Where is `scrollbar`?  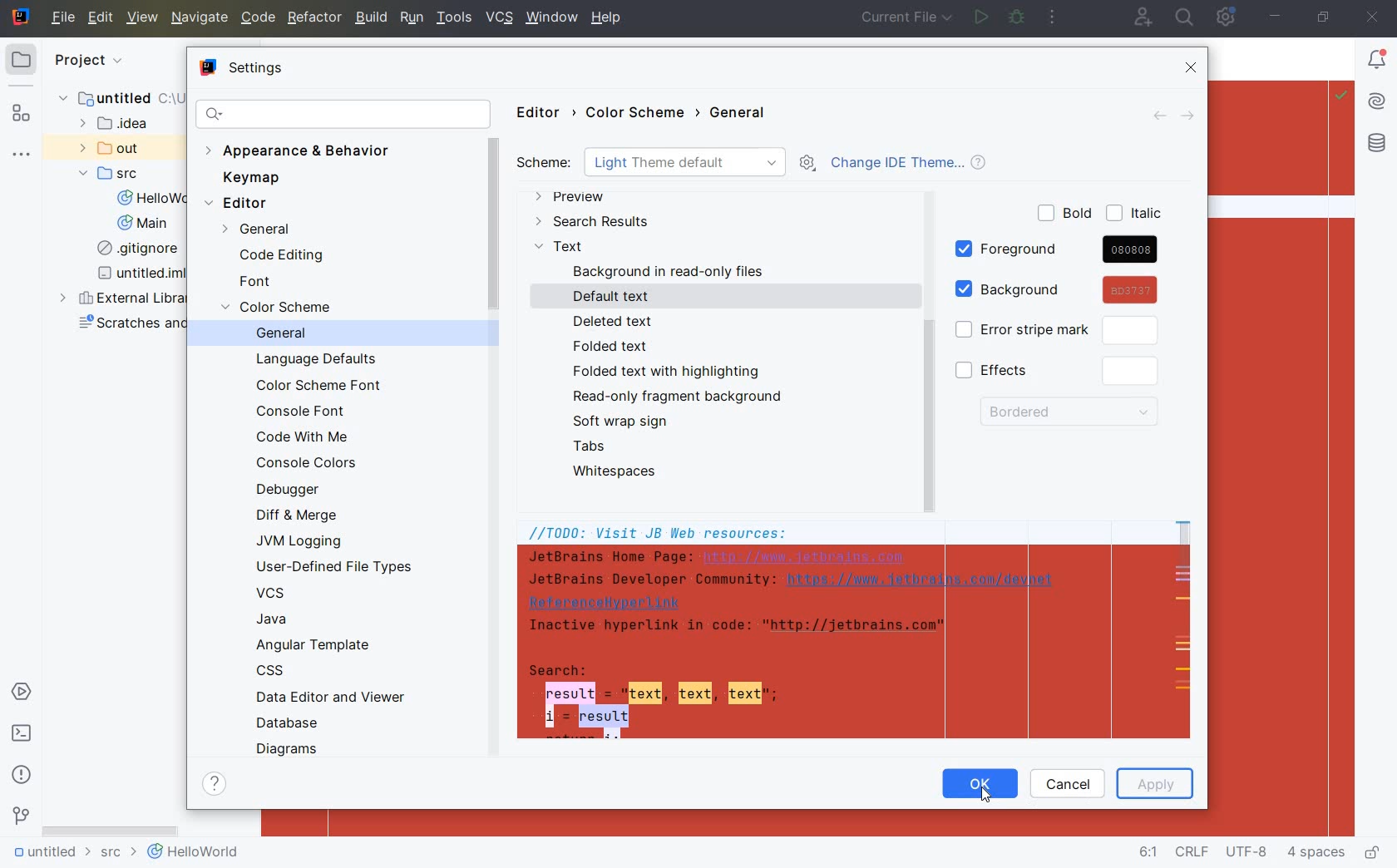 scrollbar is located at coordinates (111, 827).